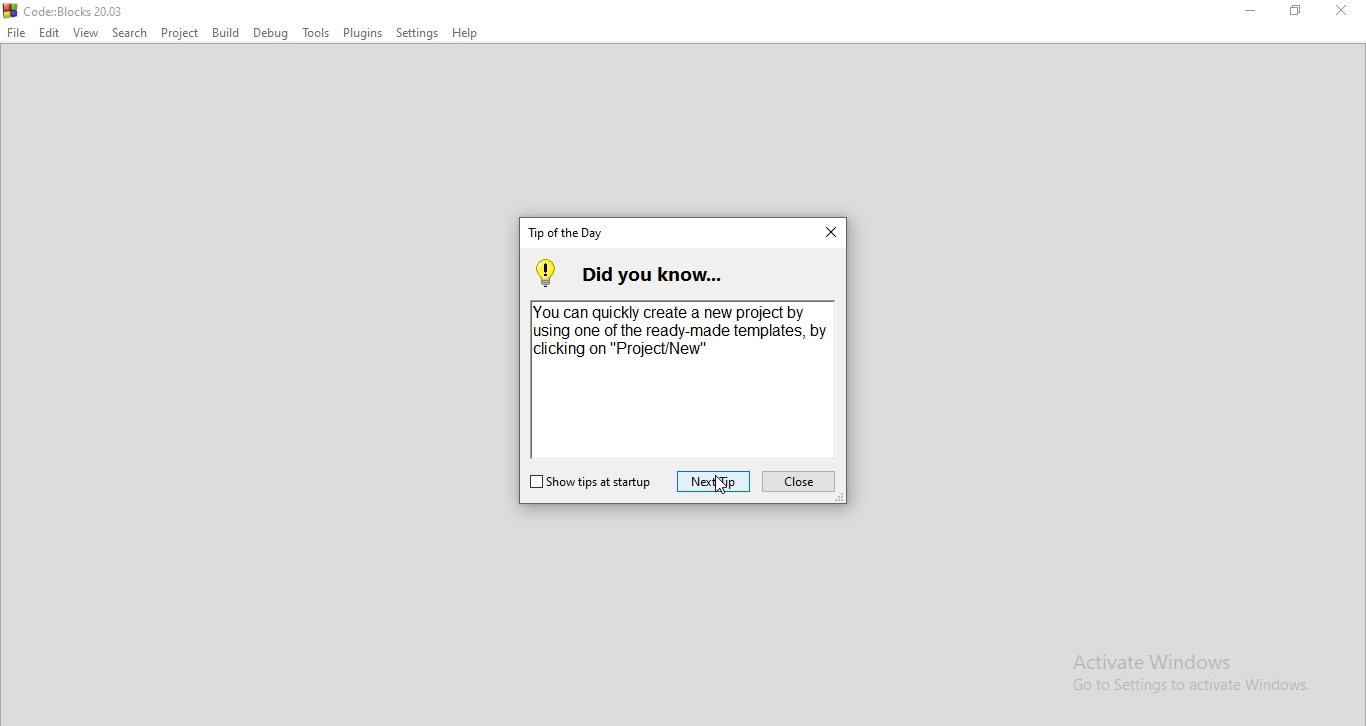 The image size is (1366, 726). I want to click on Tools , so click(314, 33).